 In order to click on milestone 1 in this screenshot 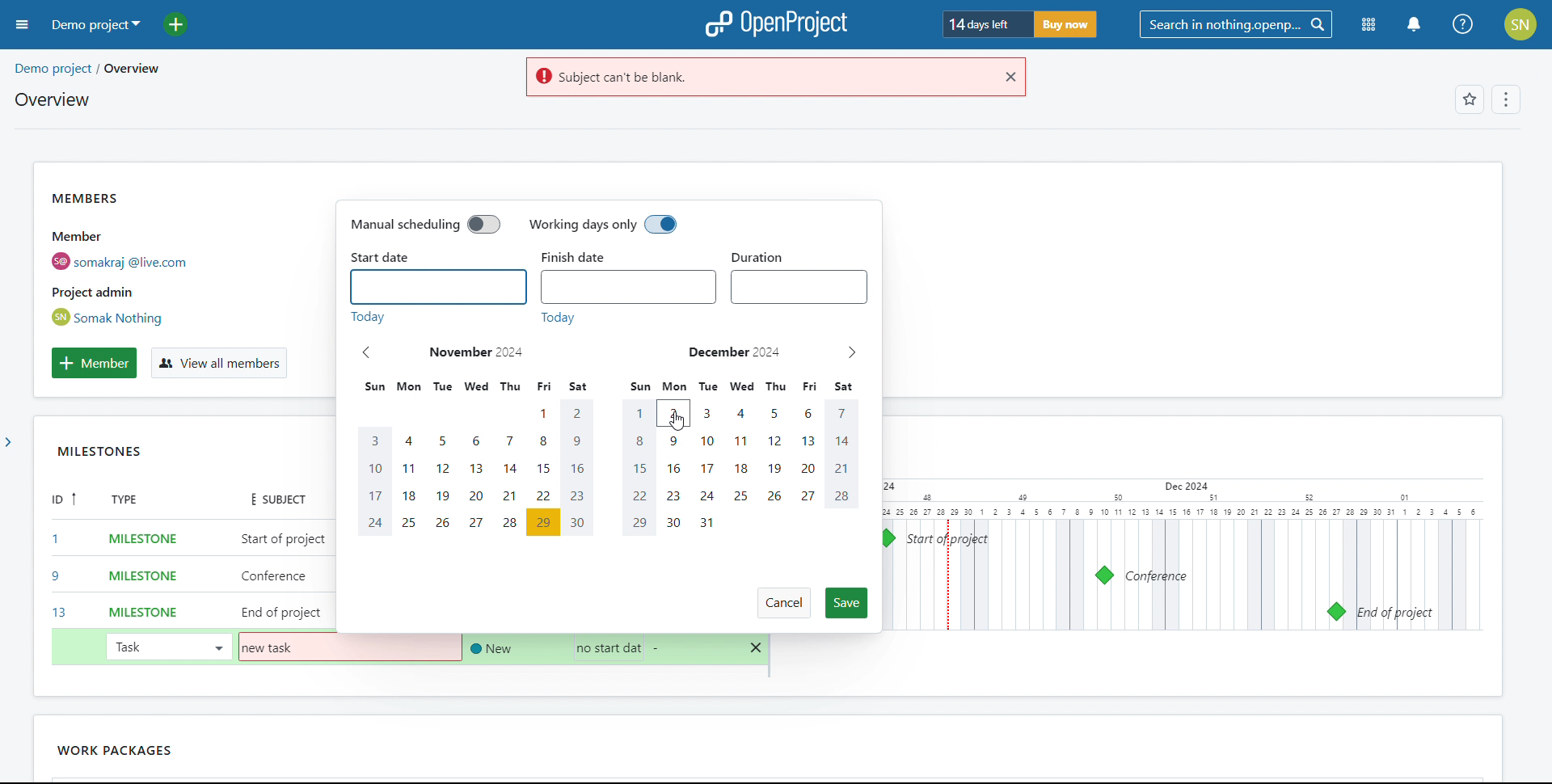, I will do `click(886, 538)`.